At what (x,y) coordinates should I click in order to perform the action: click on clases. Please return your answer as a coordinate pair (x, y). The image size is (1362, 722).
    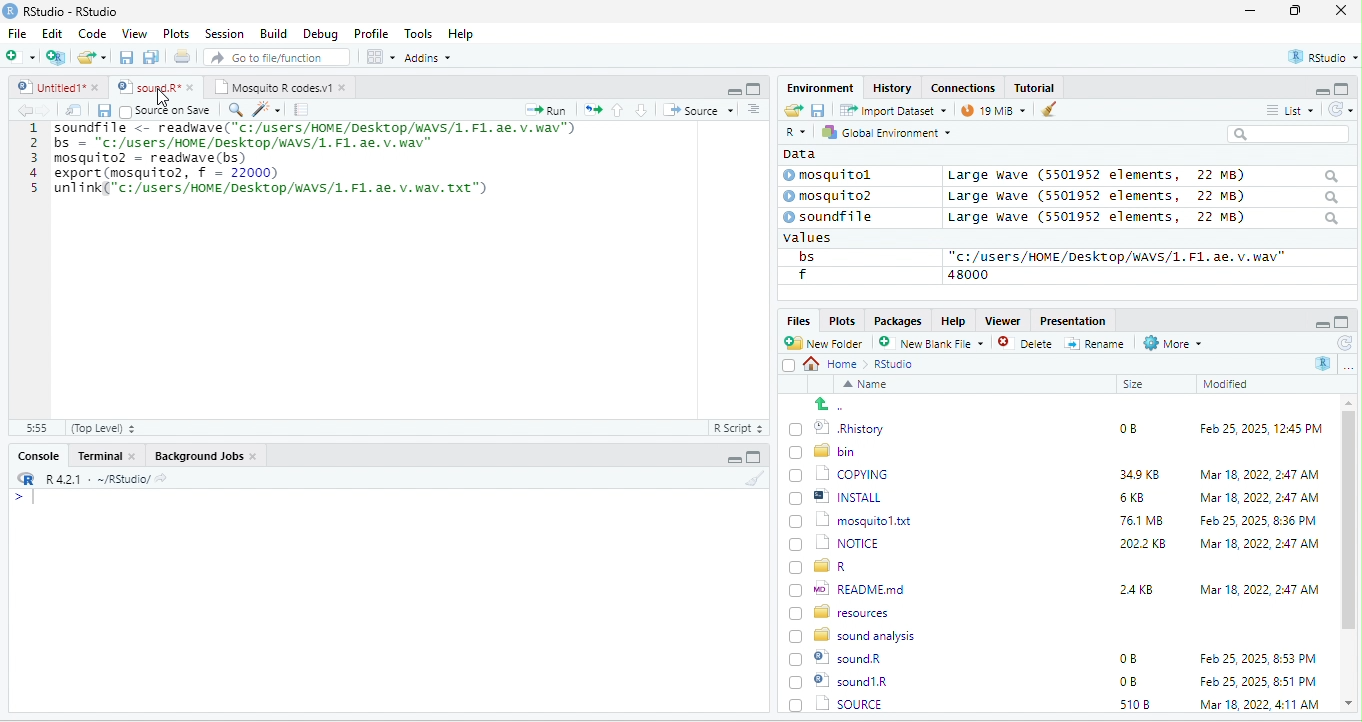
    Looking at the image, I should click on (965, 86).